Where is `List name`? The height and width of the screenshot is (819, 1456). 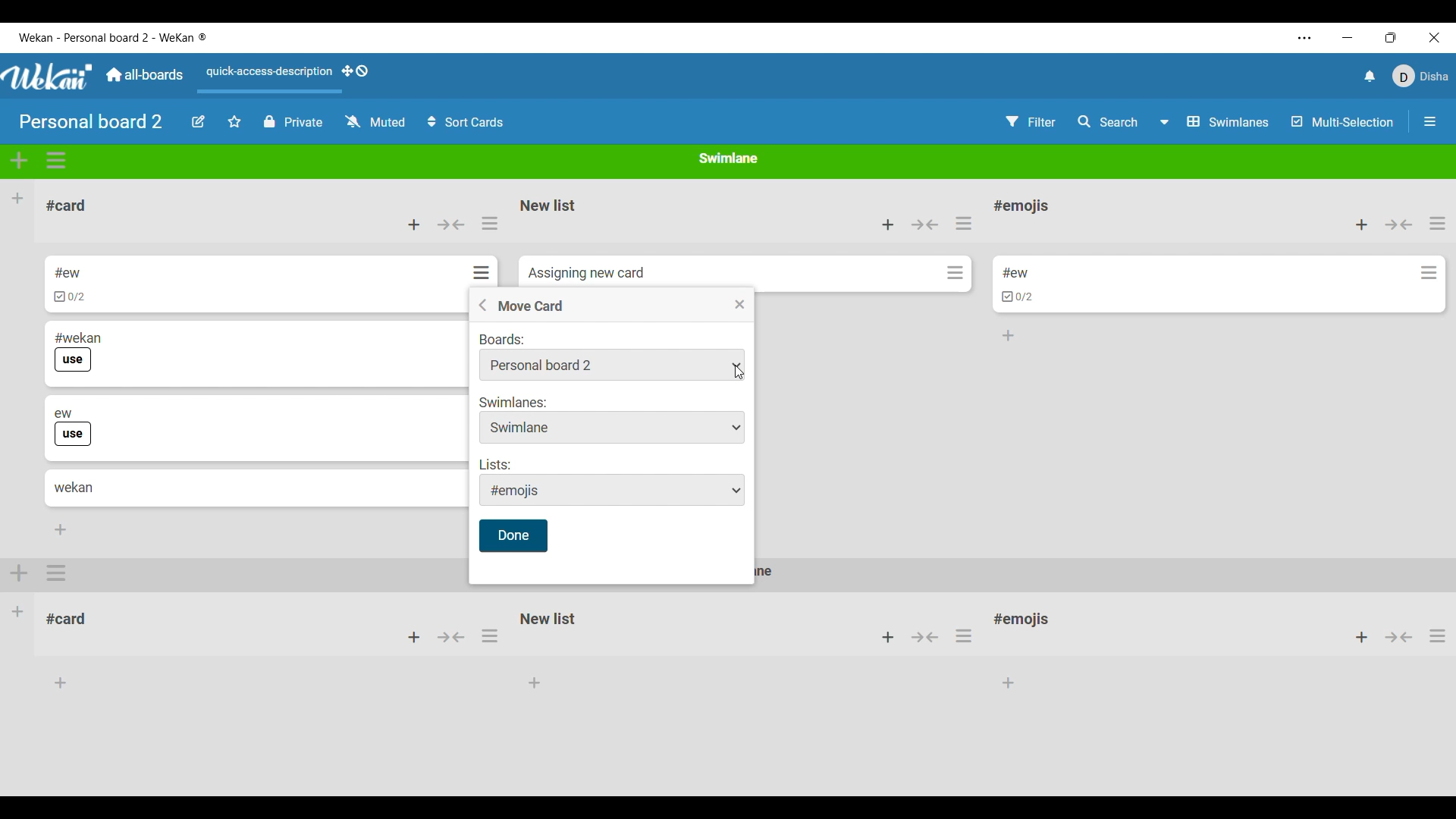
List name is located at coordinates (1021, 207).